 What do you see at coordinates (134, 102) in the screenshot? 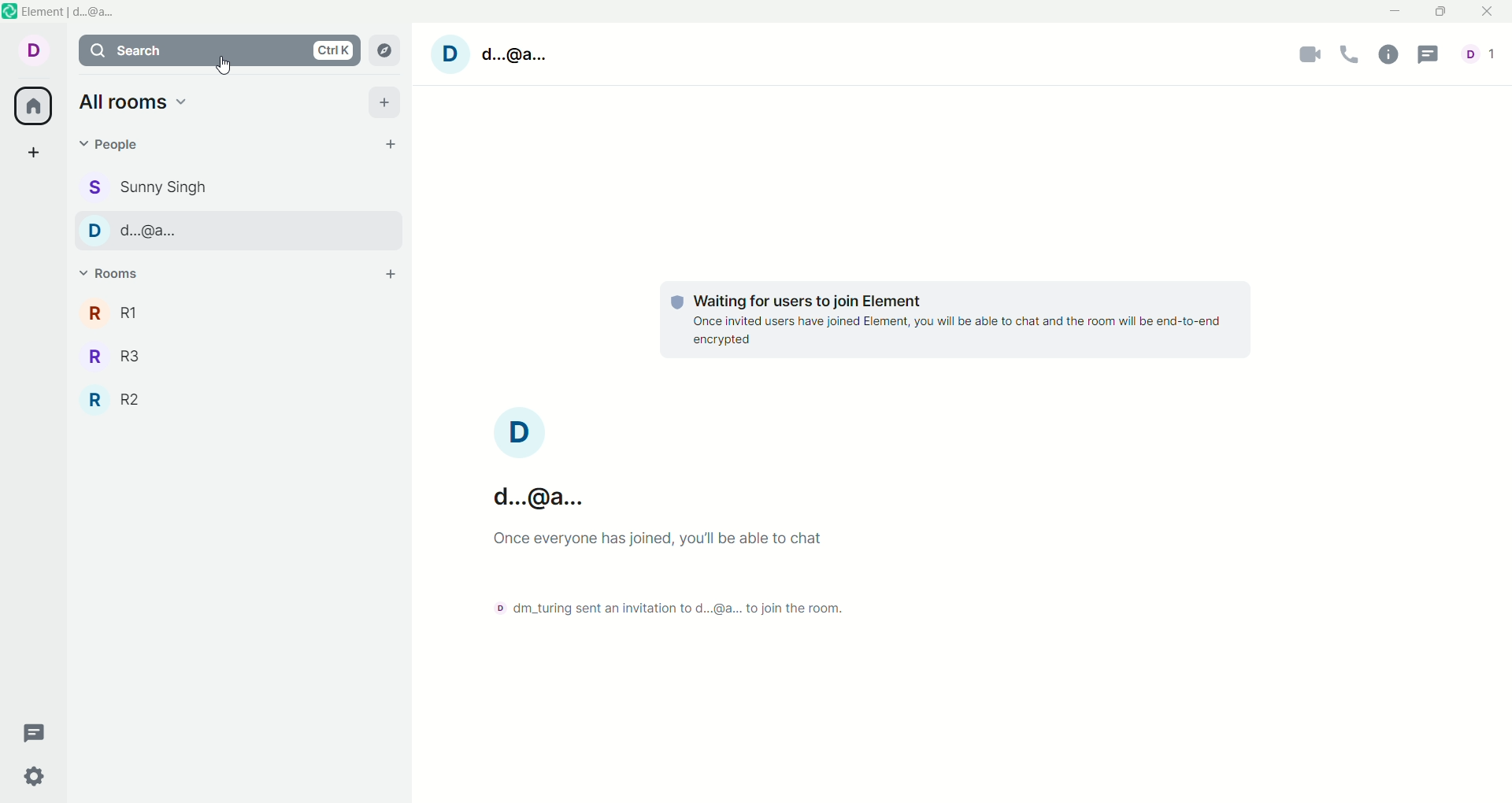
I see `all rooms` at bounding box center [134, 102].